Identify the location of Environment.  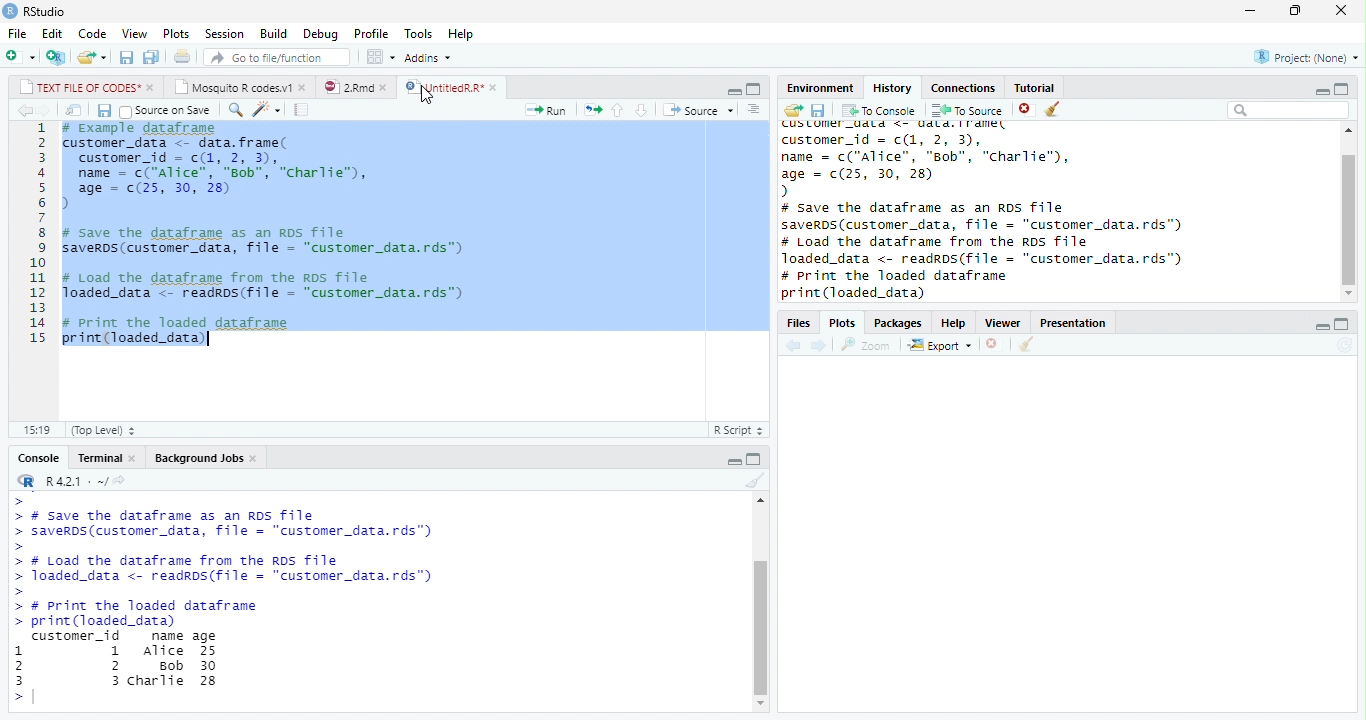
(820, 87).